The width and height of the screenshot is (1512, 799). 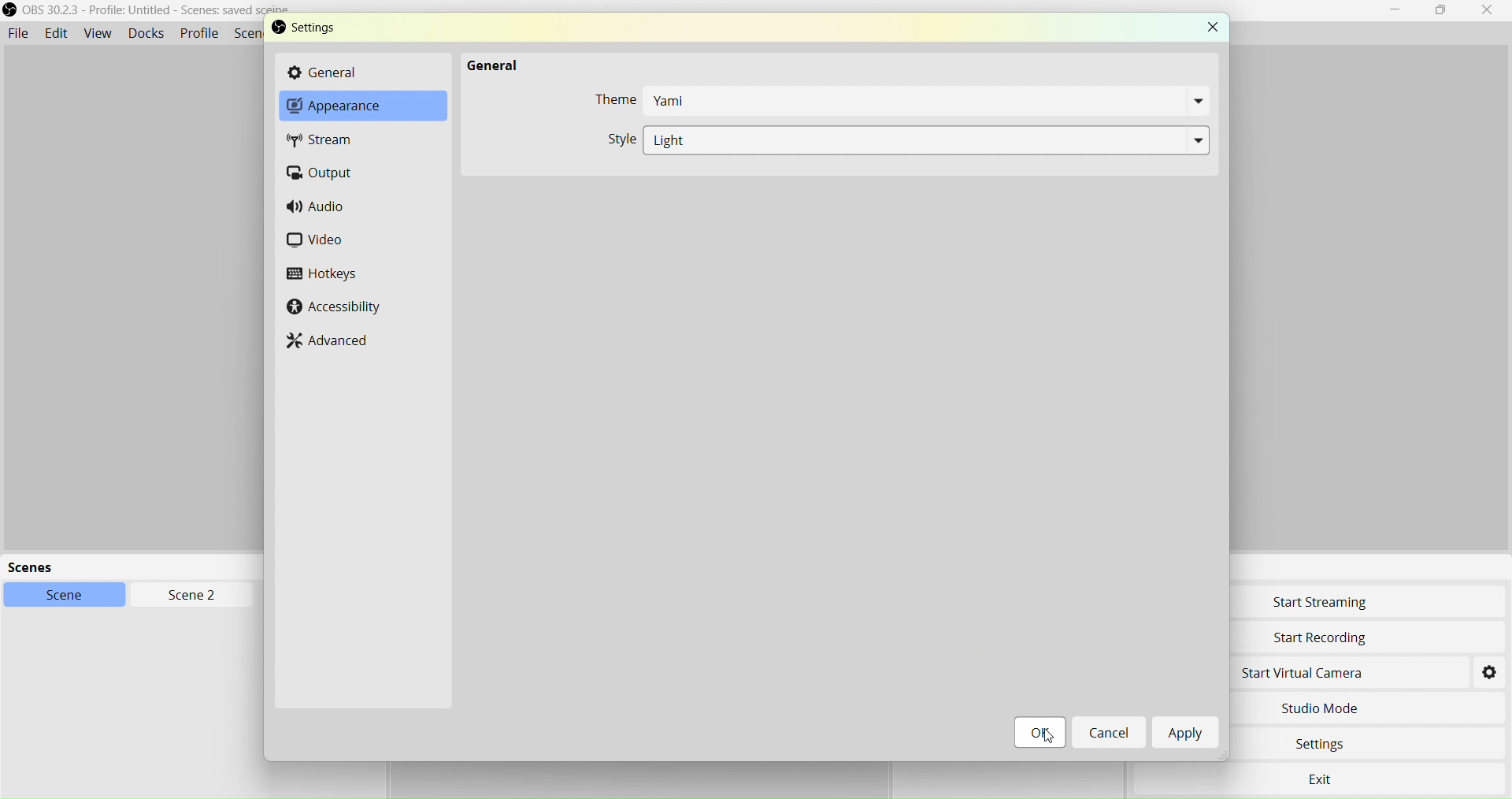 I want to click on Close, so click(x=1488, y=11).